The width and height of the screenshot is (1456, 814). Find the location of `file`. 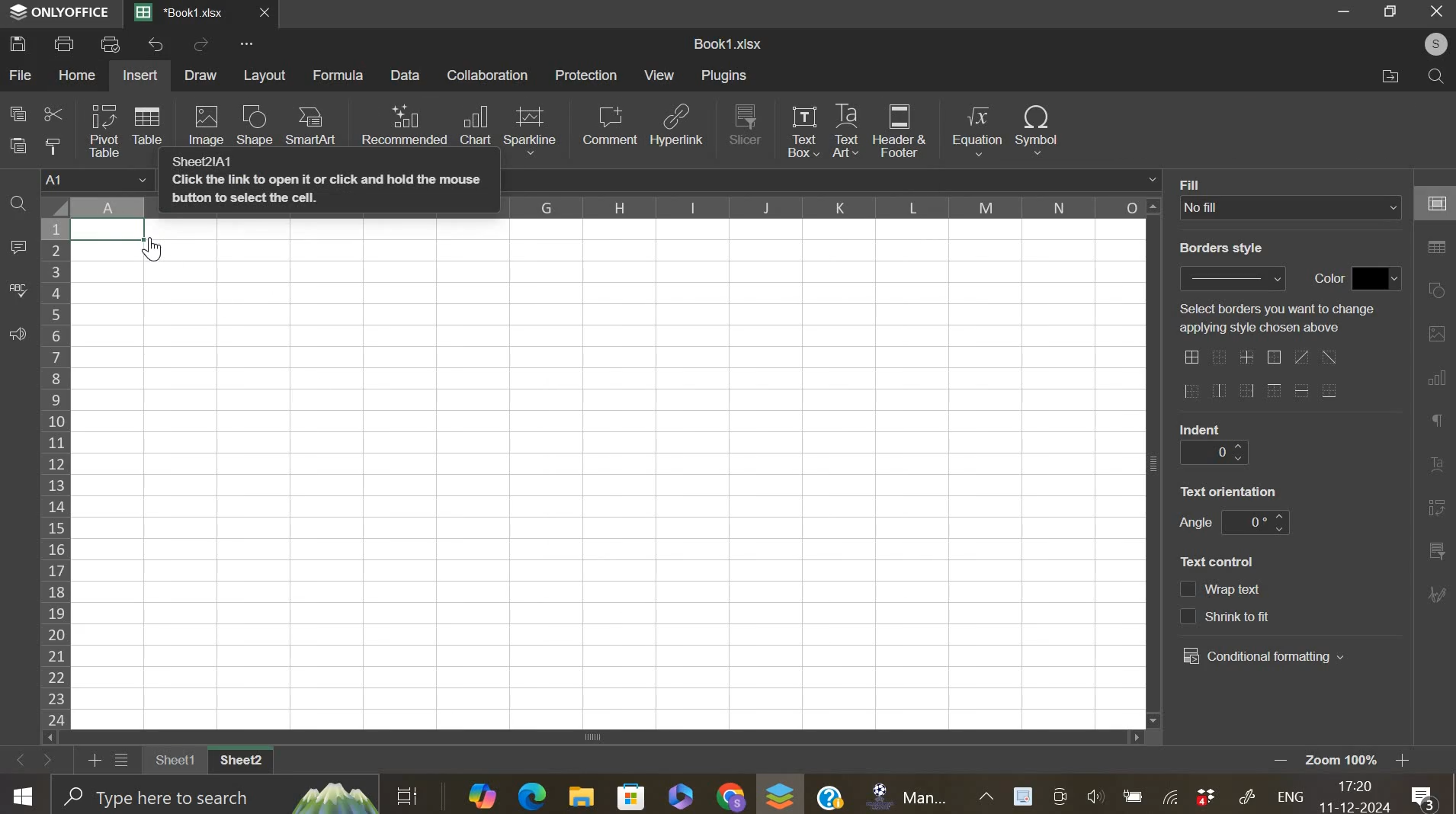

file is located at coordinates (21, 75).